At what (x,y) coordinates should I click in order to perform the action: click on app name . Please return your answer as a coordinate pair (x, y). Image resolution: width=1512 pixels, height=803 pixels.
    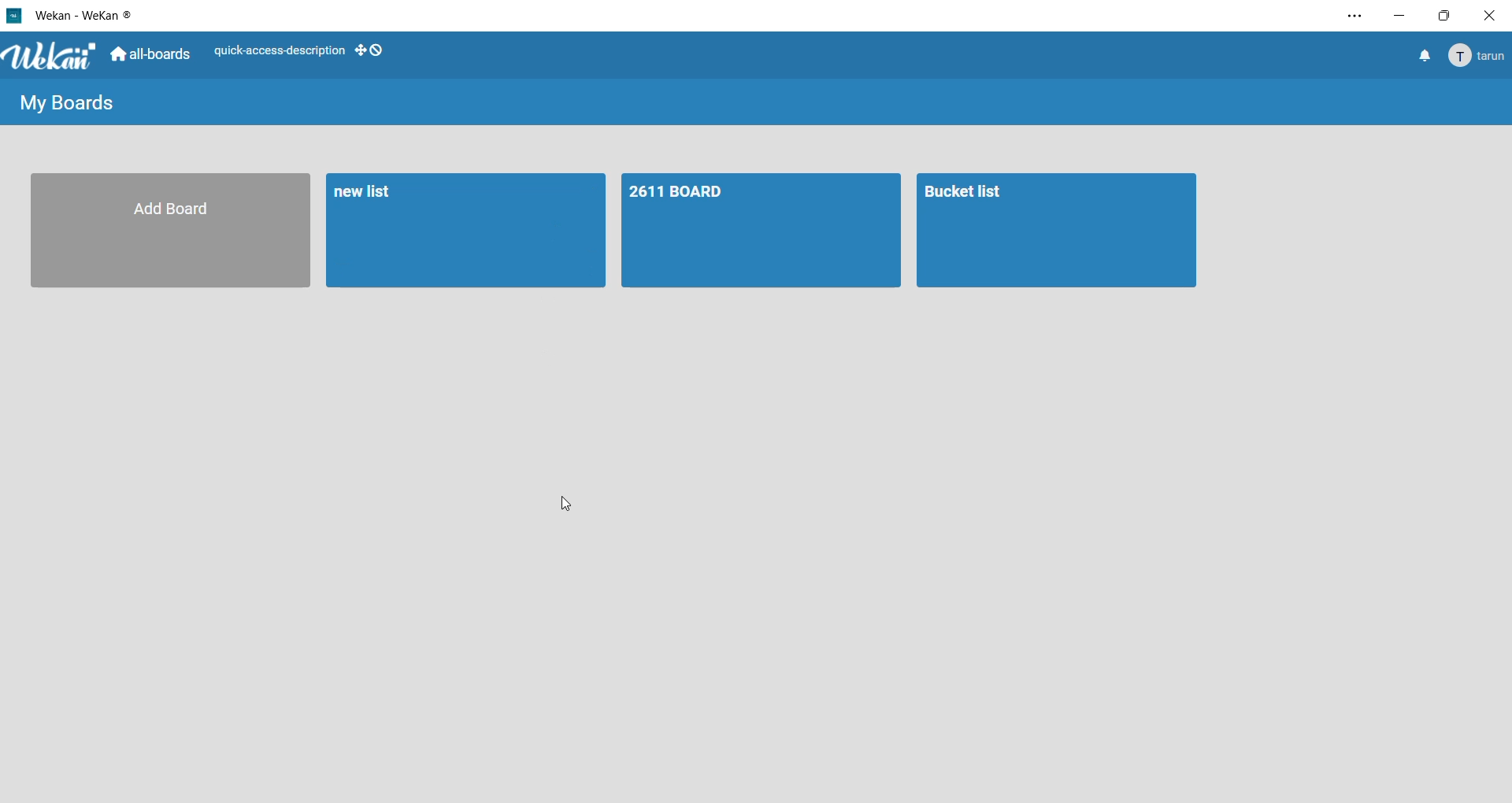
    Looking at the image, I should click on (86, 13).